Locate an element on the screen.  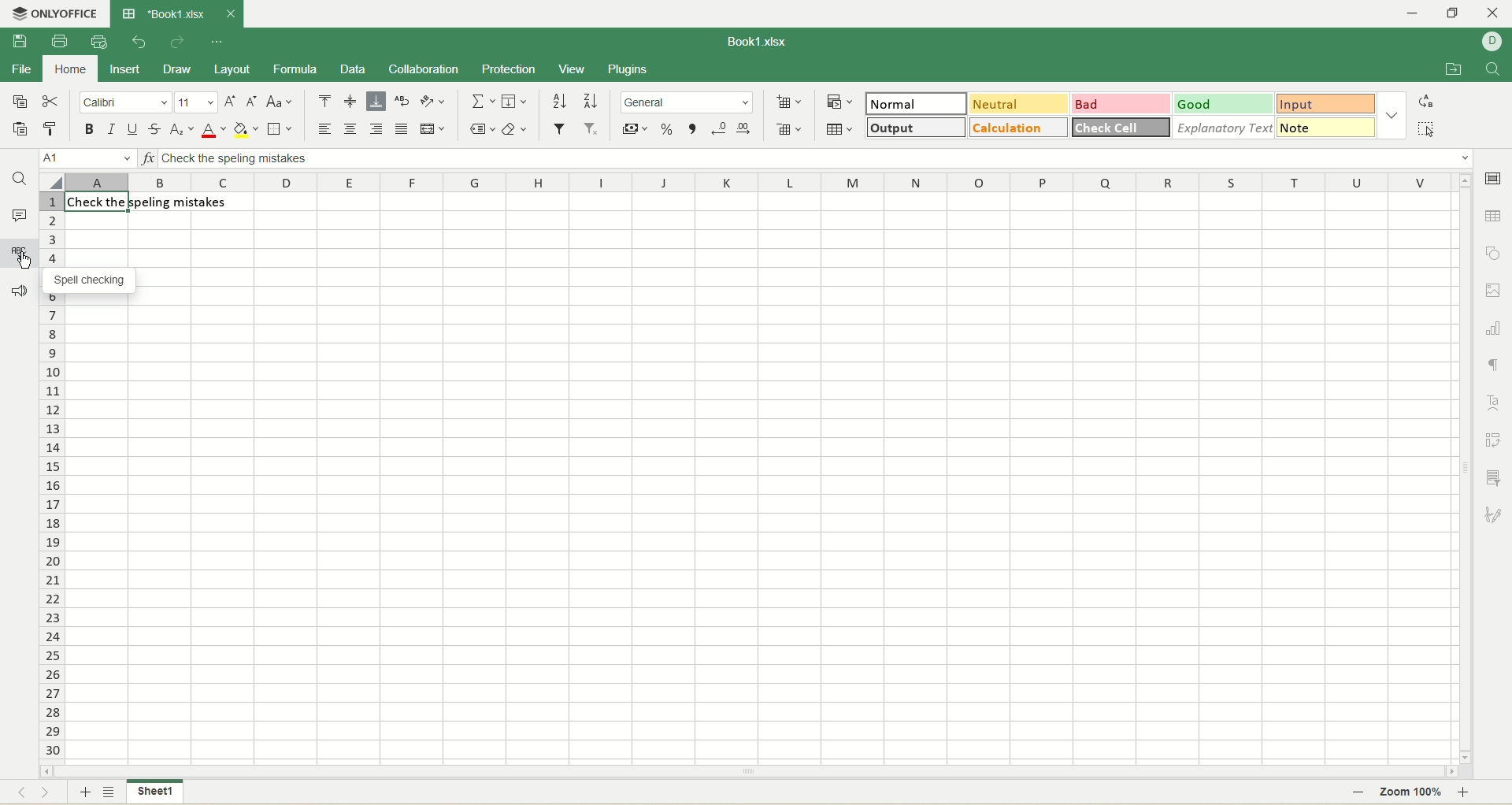
cell number is located at coordinates (50, 478).